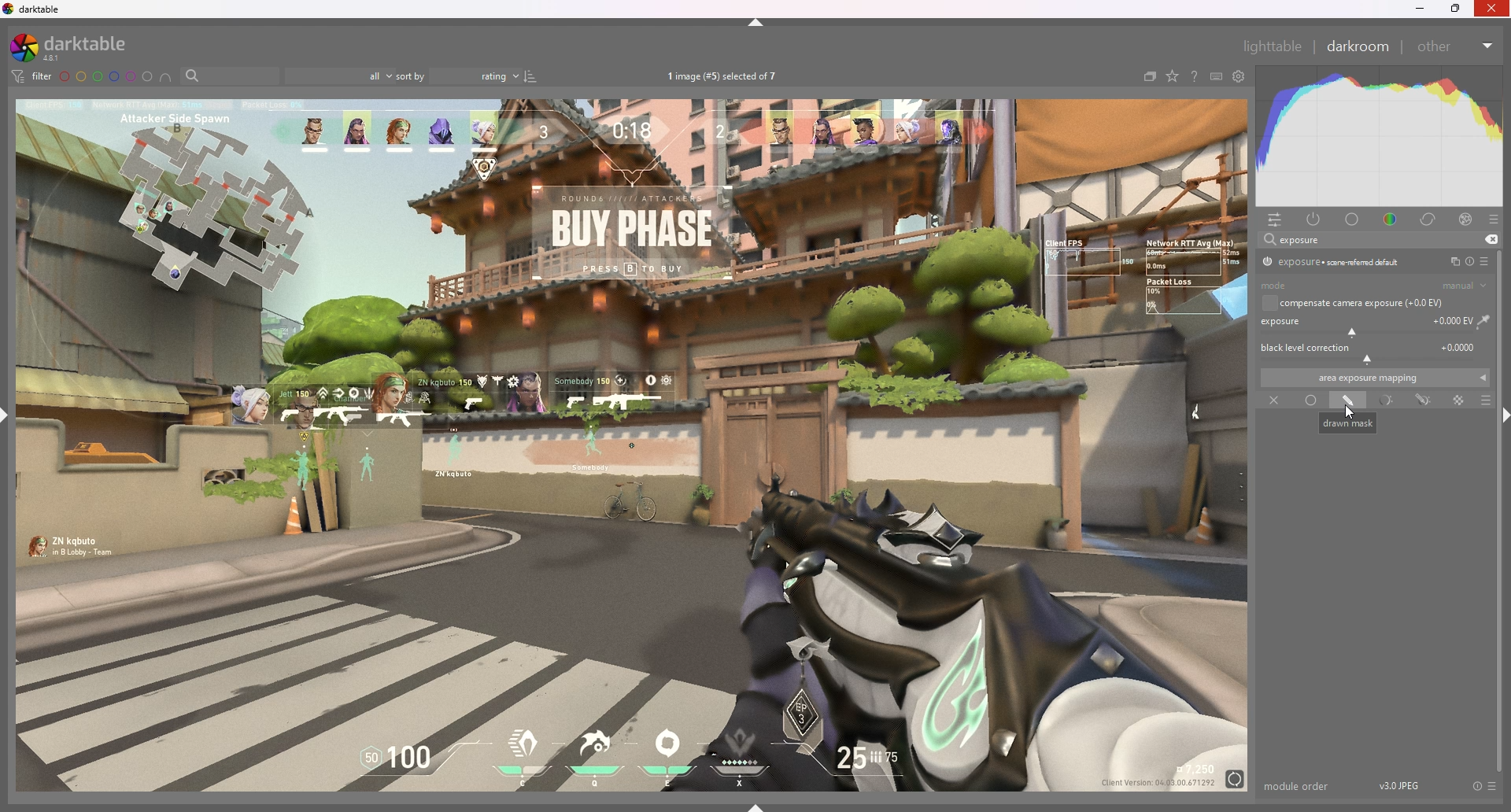 The height and width of the screenshot is (812, 1511). Describe the element at coordinates (1332, 261) in the screenshot. I see `exposure` at that location.